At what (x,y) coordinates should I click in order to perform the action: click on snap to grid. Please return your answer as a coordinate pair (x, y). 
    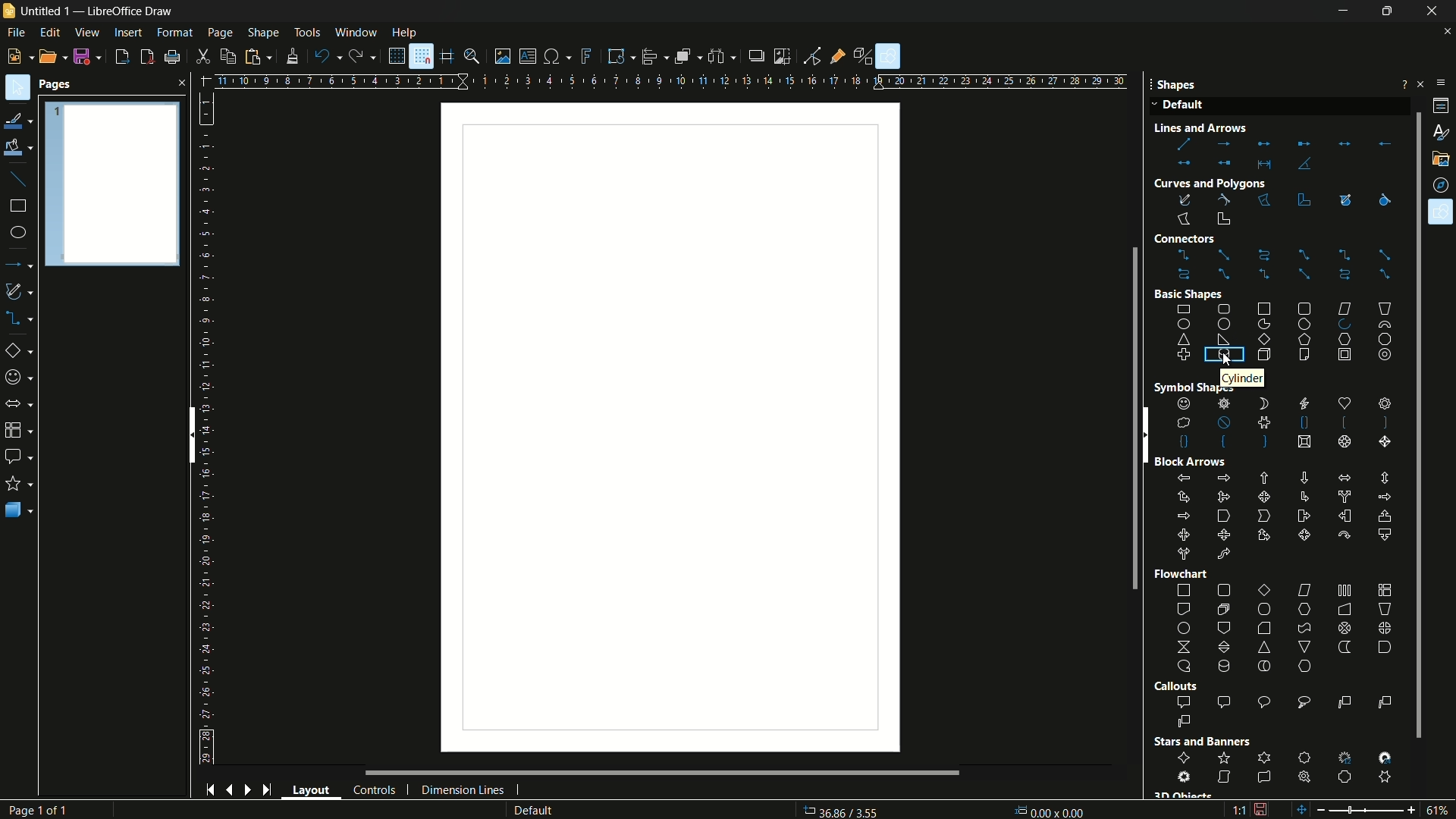
    Looking at the image, I should click on (421, 56).